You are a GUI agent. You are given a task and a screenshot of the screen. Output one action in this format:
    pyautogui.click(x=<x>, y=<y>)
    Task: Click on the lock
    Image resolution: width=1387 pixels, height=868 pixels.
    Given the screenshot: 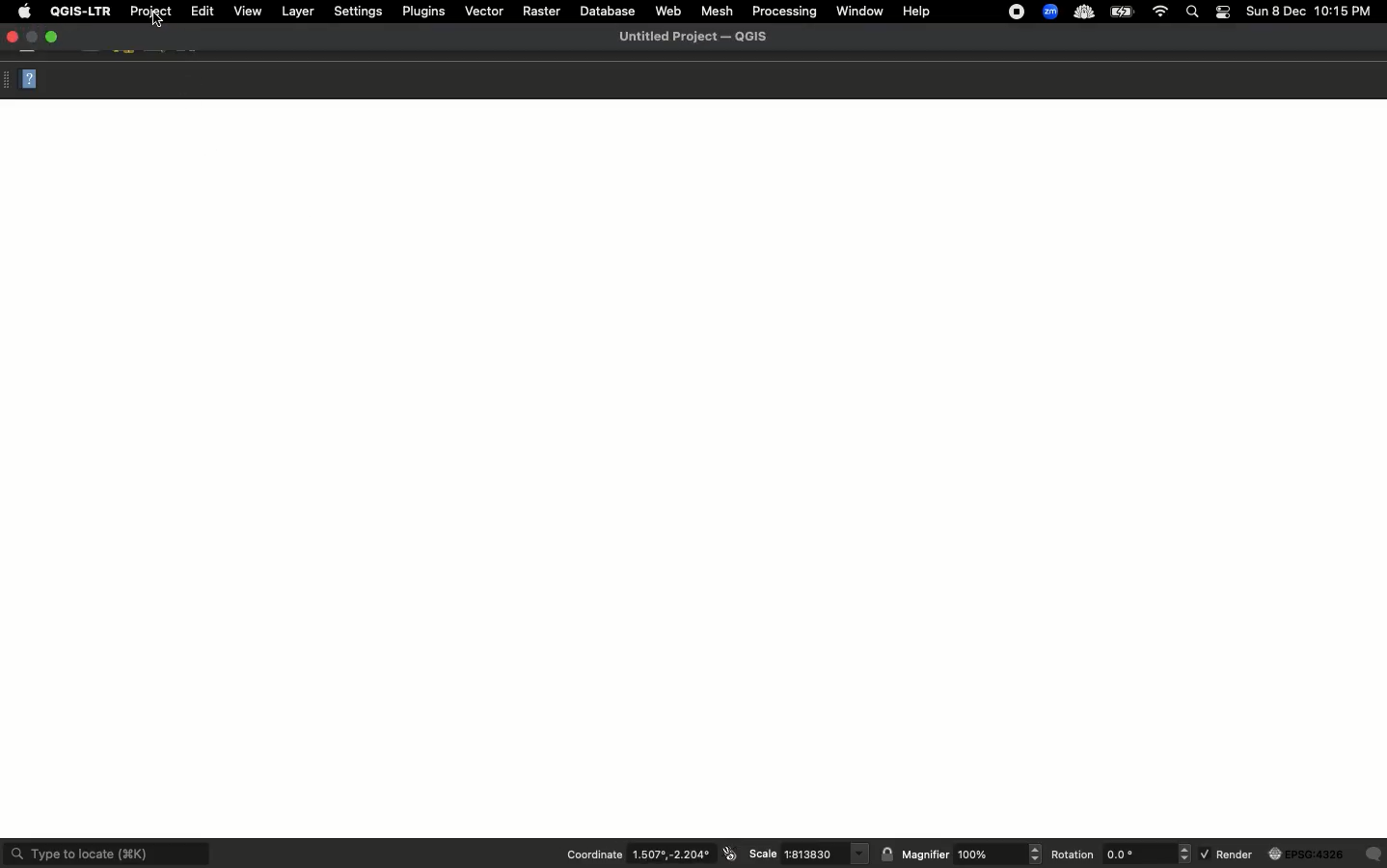 What is the action you would take?
    pyautogui.click(x=889, y=854)
    